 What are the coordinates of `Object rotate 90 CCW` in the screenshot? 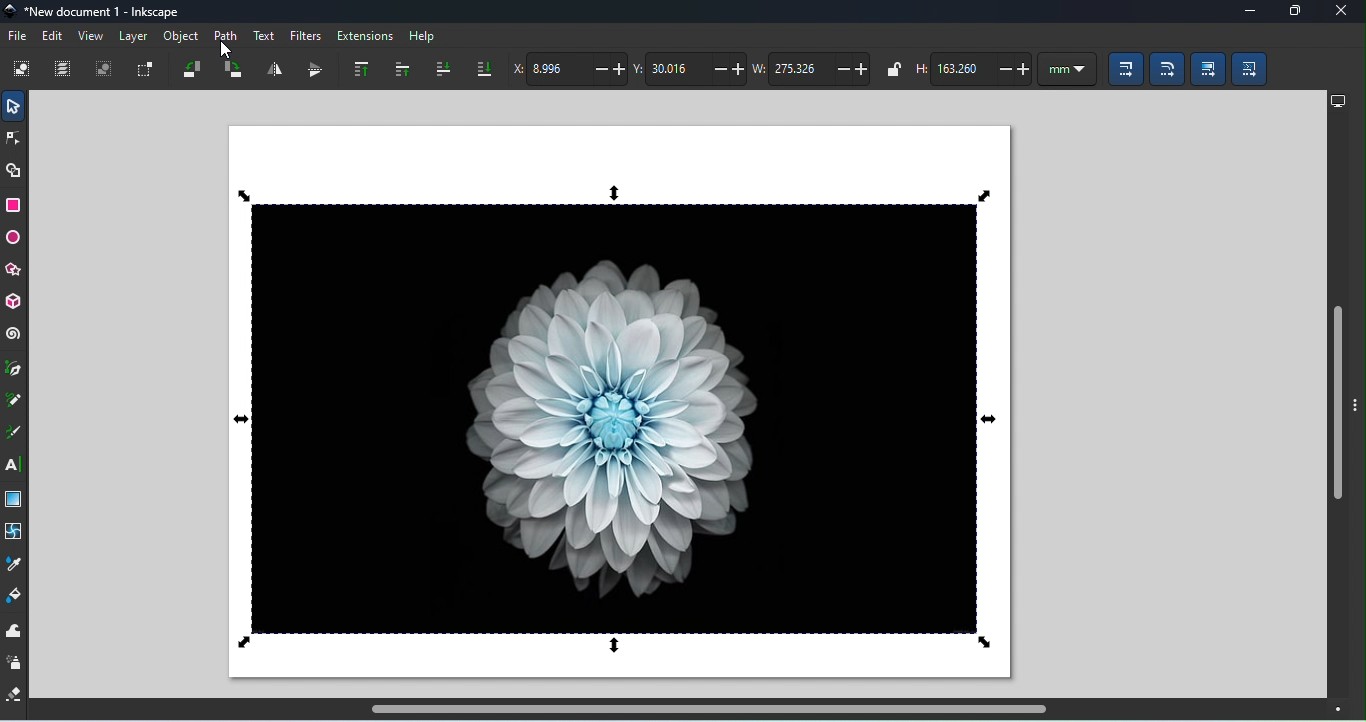 It's located at (196, 71).